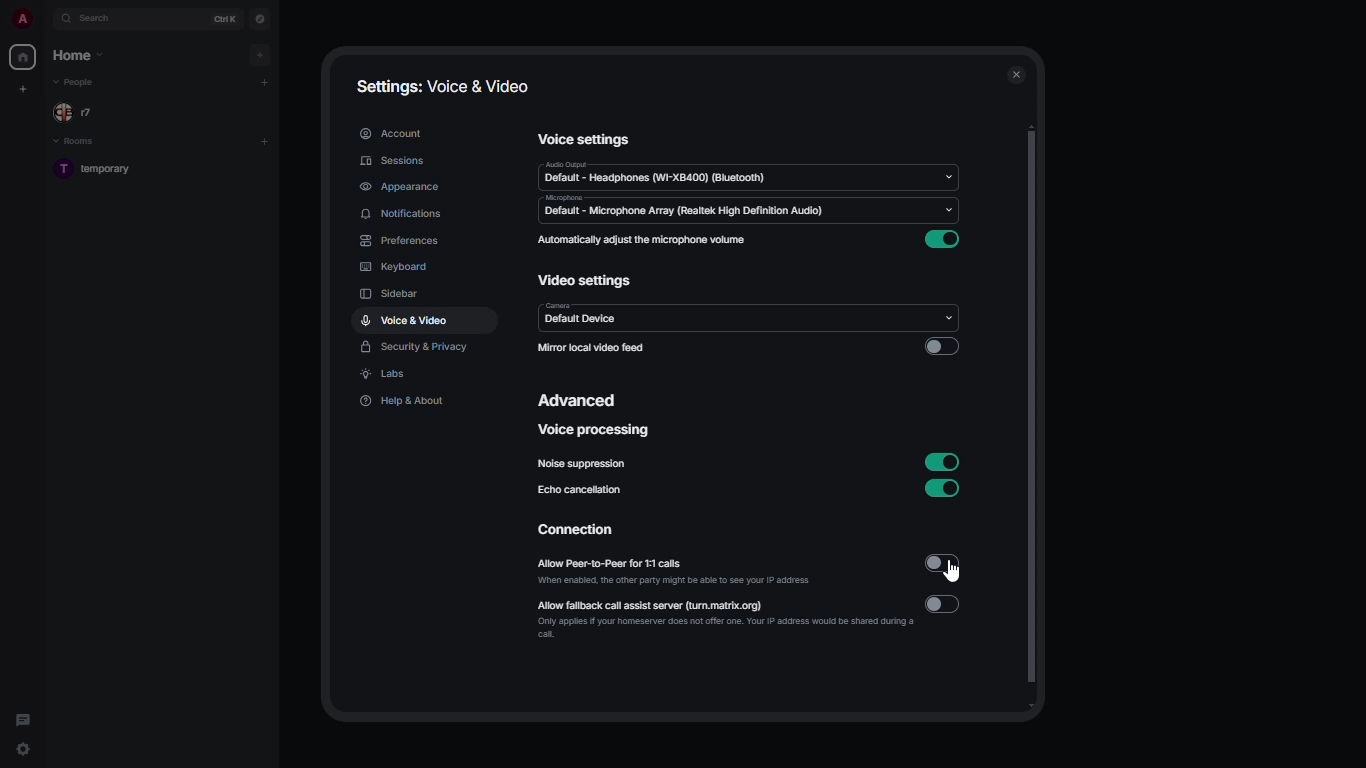  I want to click on add, so click(265, 142).